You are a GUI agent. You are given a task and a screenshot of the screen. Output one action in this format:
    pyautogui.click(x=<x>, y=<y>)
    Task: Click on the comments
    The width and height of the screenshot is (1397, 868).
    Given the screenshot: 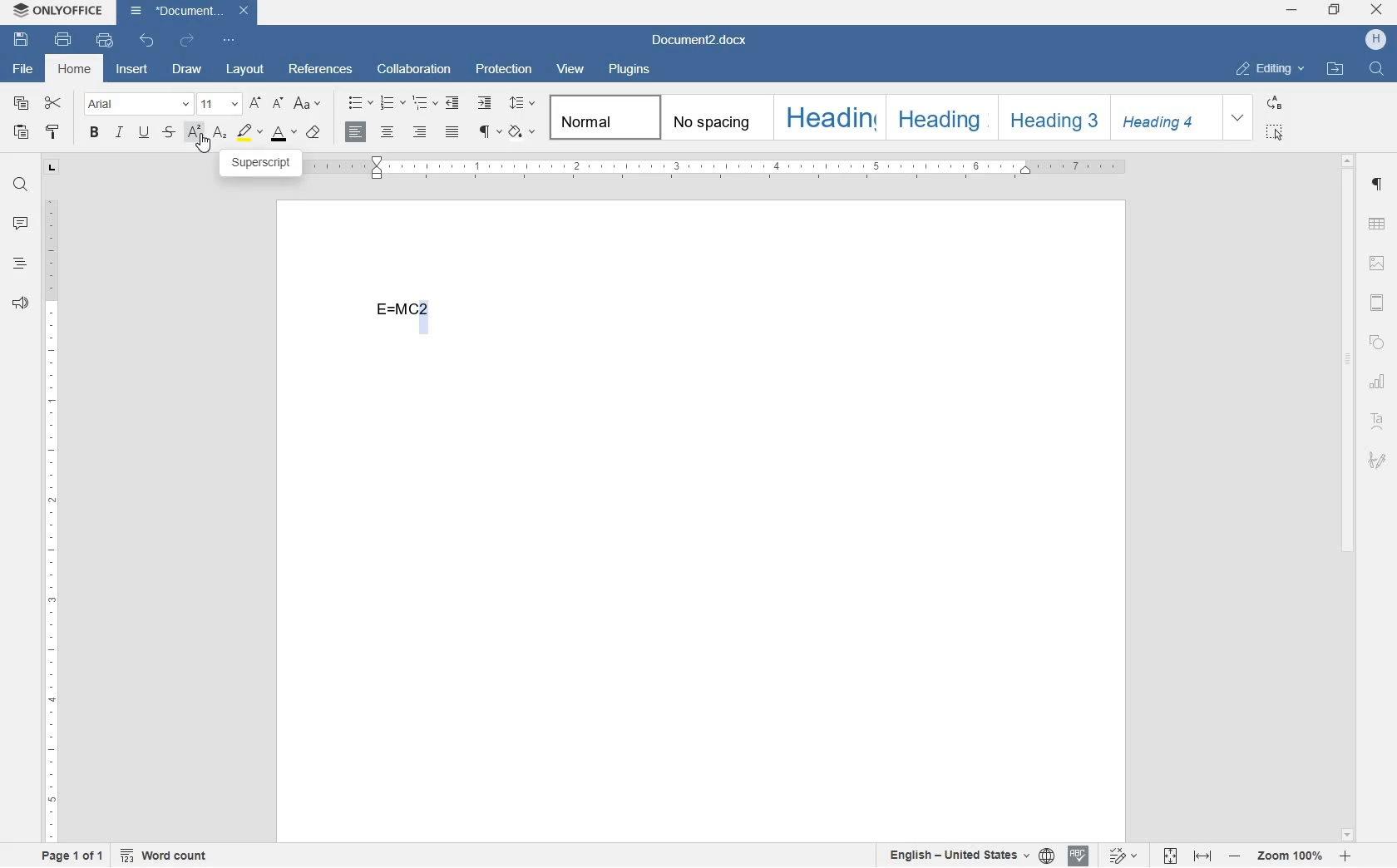 What is the action you would take?
    pyautogui.click(x=20, y=224)
    